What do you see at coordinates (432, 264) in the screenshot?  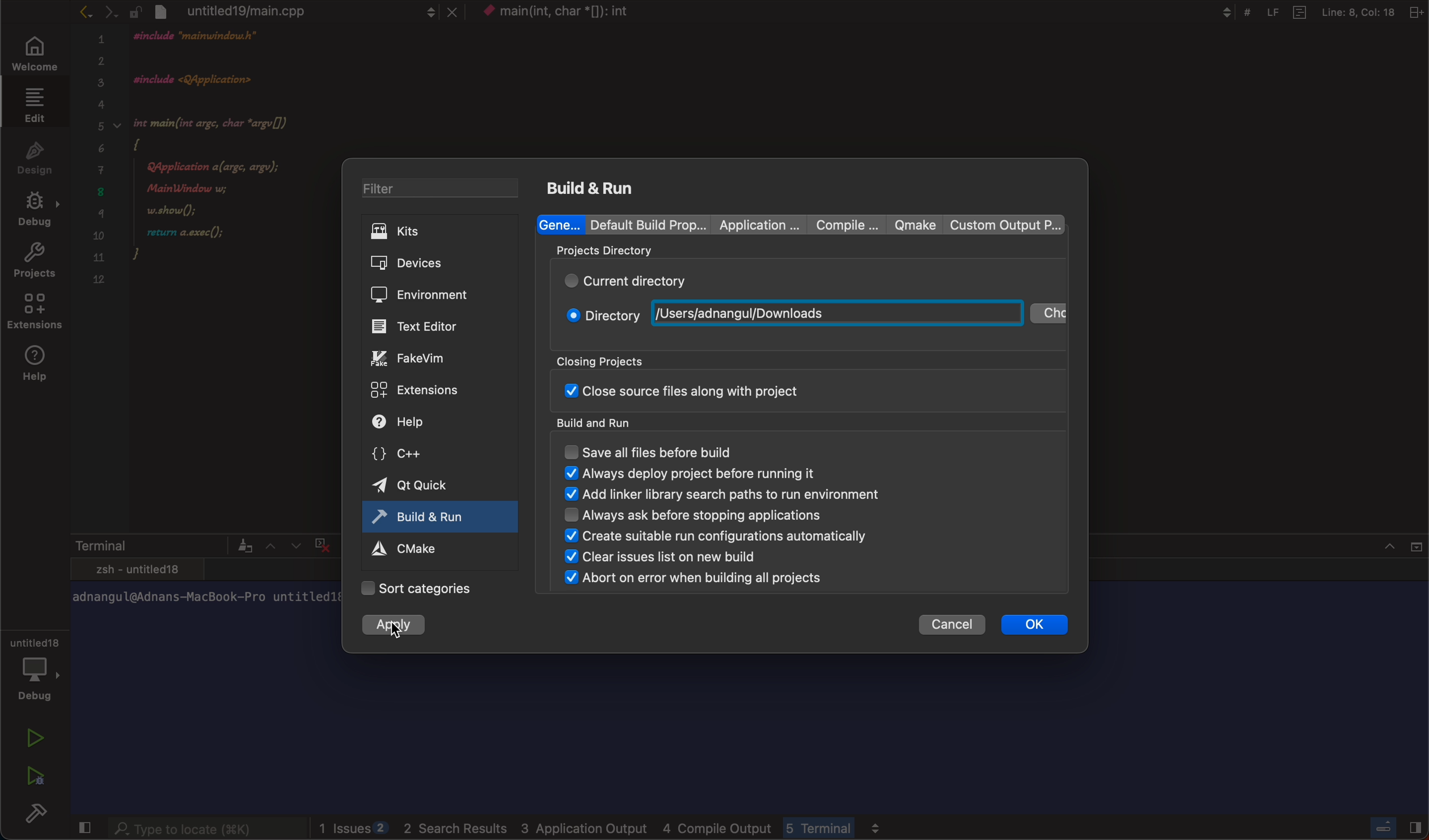 I see `devices` at bounding box center [432, 264].